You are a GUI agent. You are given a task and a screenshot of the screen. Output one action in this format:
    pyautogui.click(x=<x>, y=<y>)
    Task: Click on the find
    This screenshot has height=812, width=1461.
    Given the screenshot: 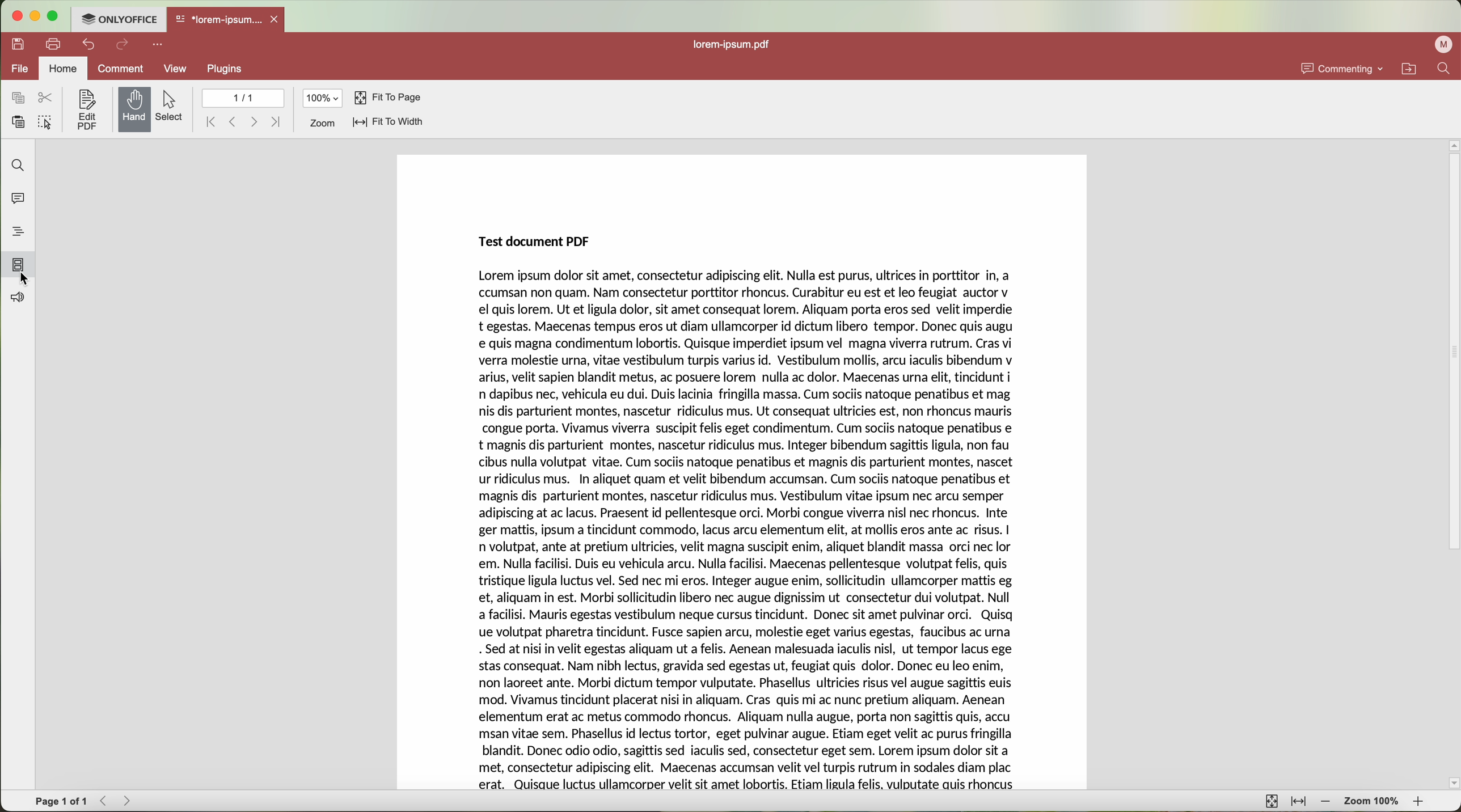 What is the action you would take?
    pyautogui.click(x=1447, y=69)
    